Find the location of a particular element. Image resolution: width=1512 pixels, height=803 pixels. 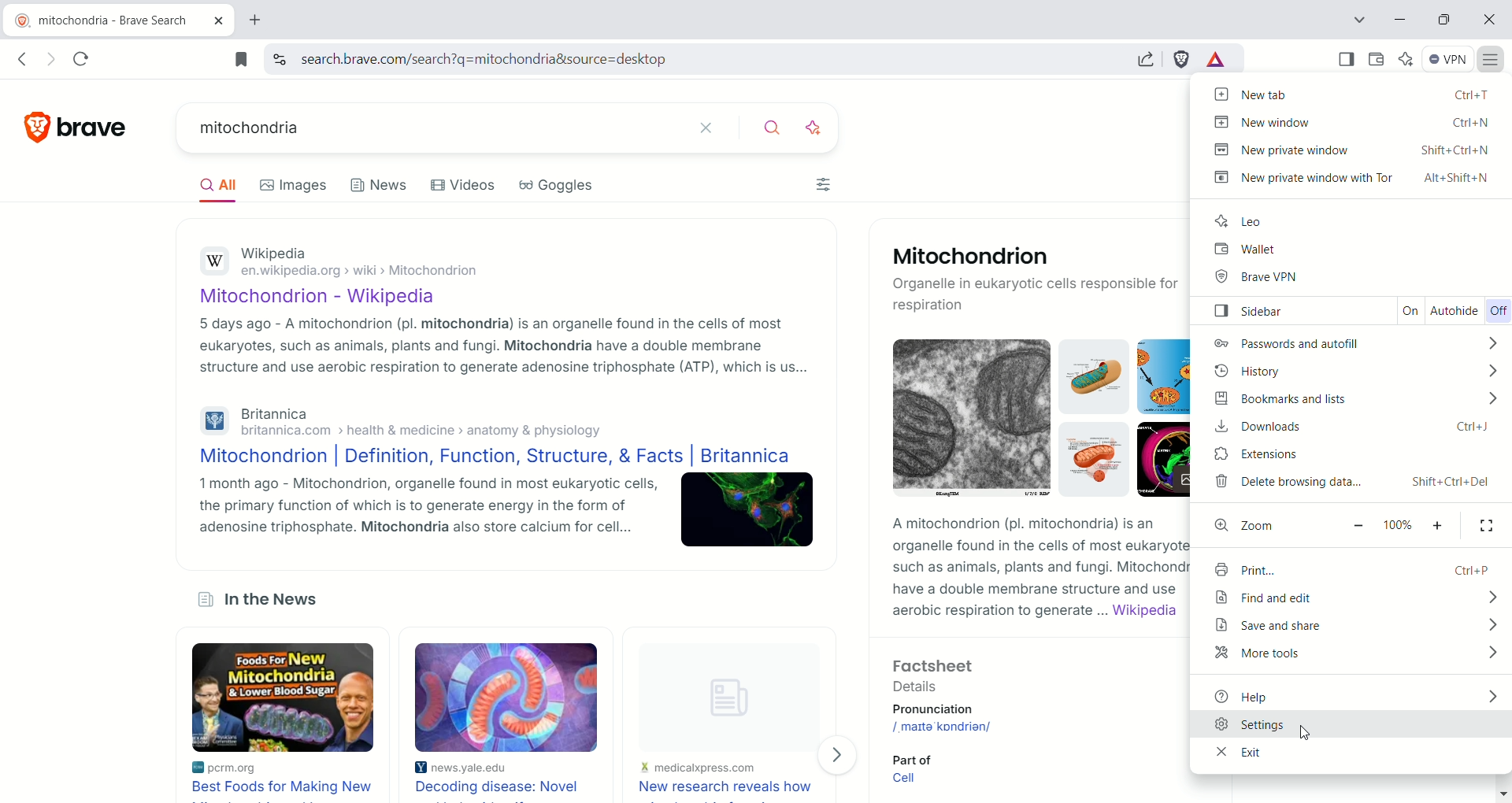

share this page is located at coordinates (1144, 58).